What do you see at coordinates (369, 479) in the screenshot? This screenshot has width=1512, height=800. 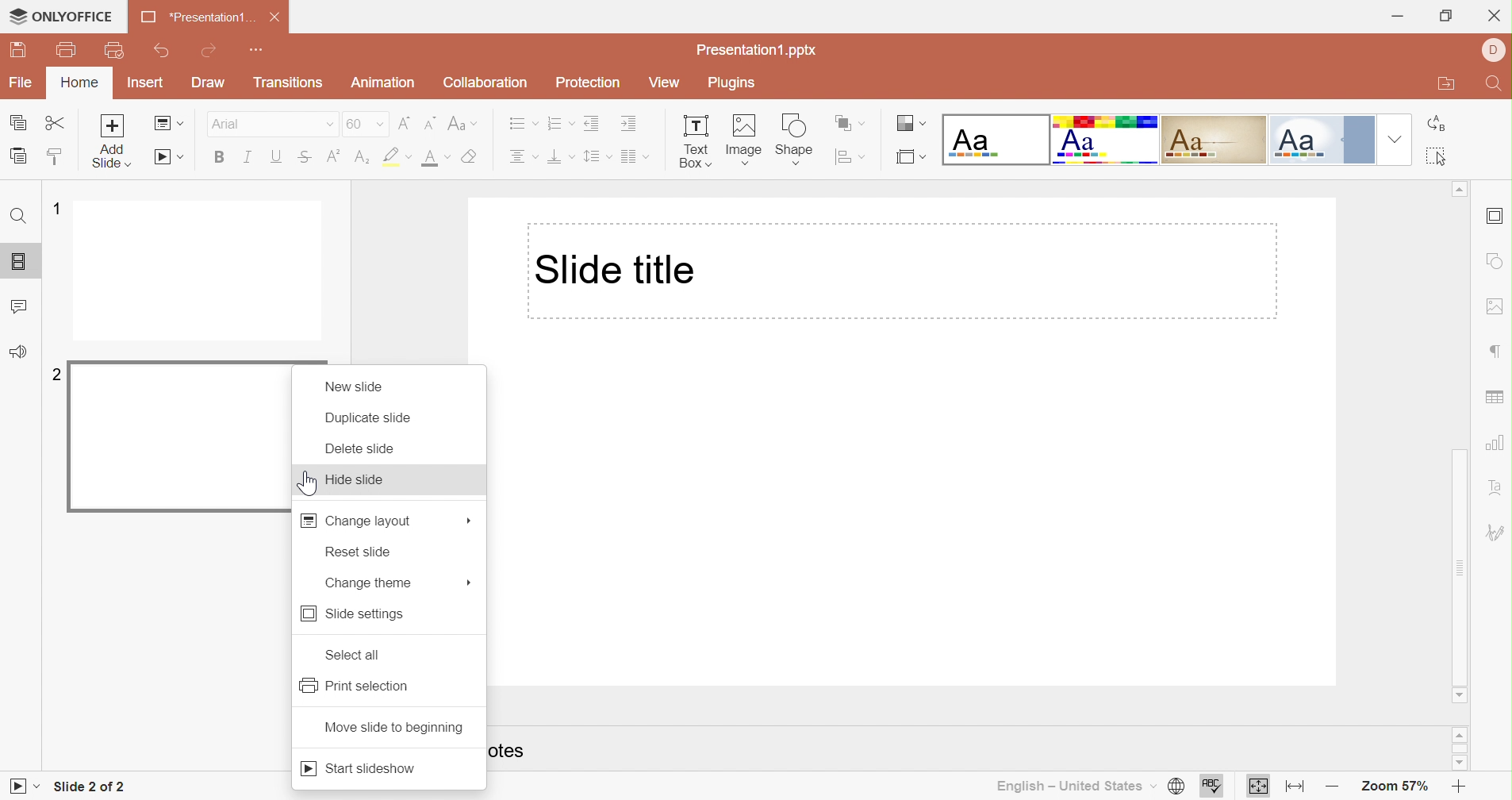 I see `Hide slide` at bounding box center [369, 479].